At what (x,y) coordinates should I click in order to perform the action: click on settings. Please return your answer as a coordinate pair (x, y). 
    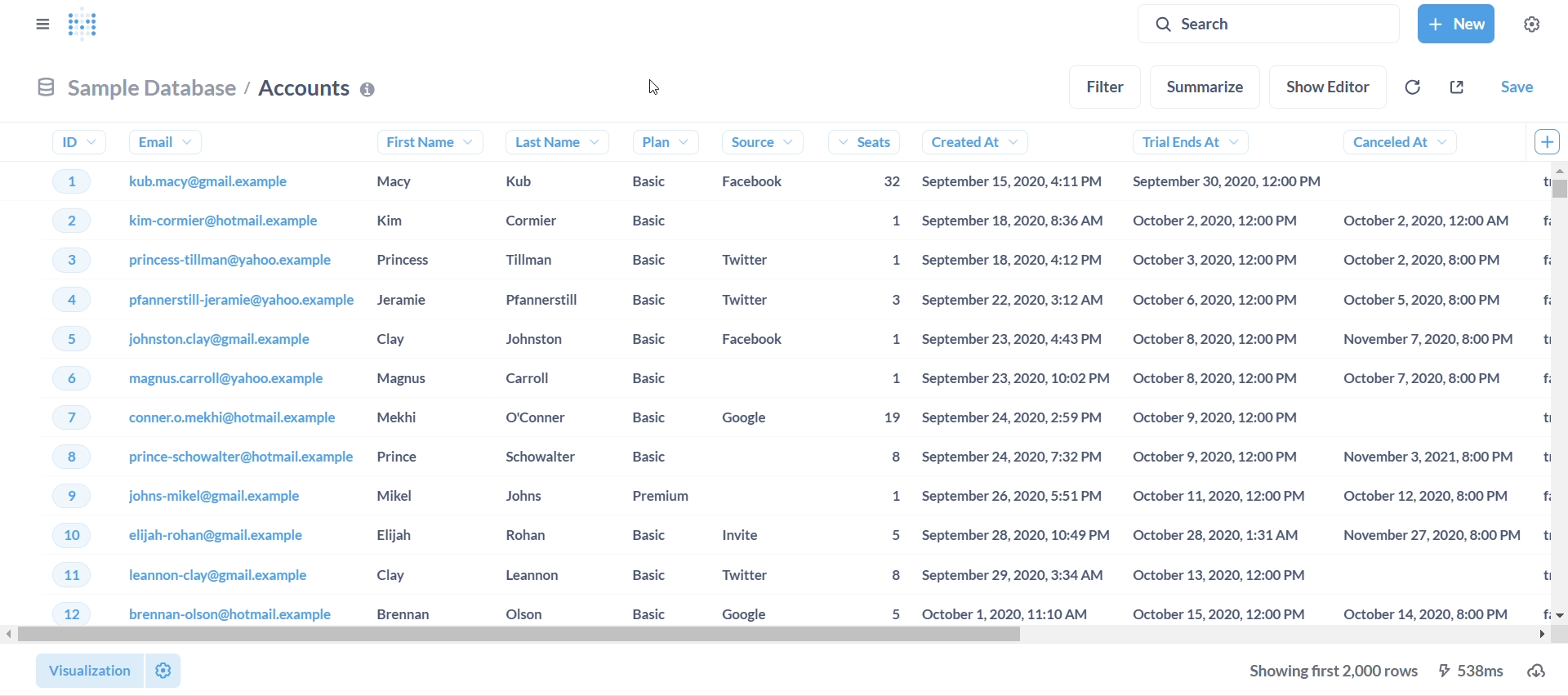
    Looking at the image, I should click on (1532, 24).